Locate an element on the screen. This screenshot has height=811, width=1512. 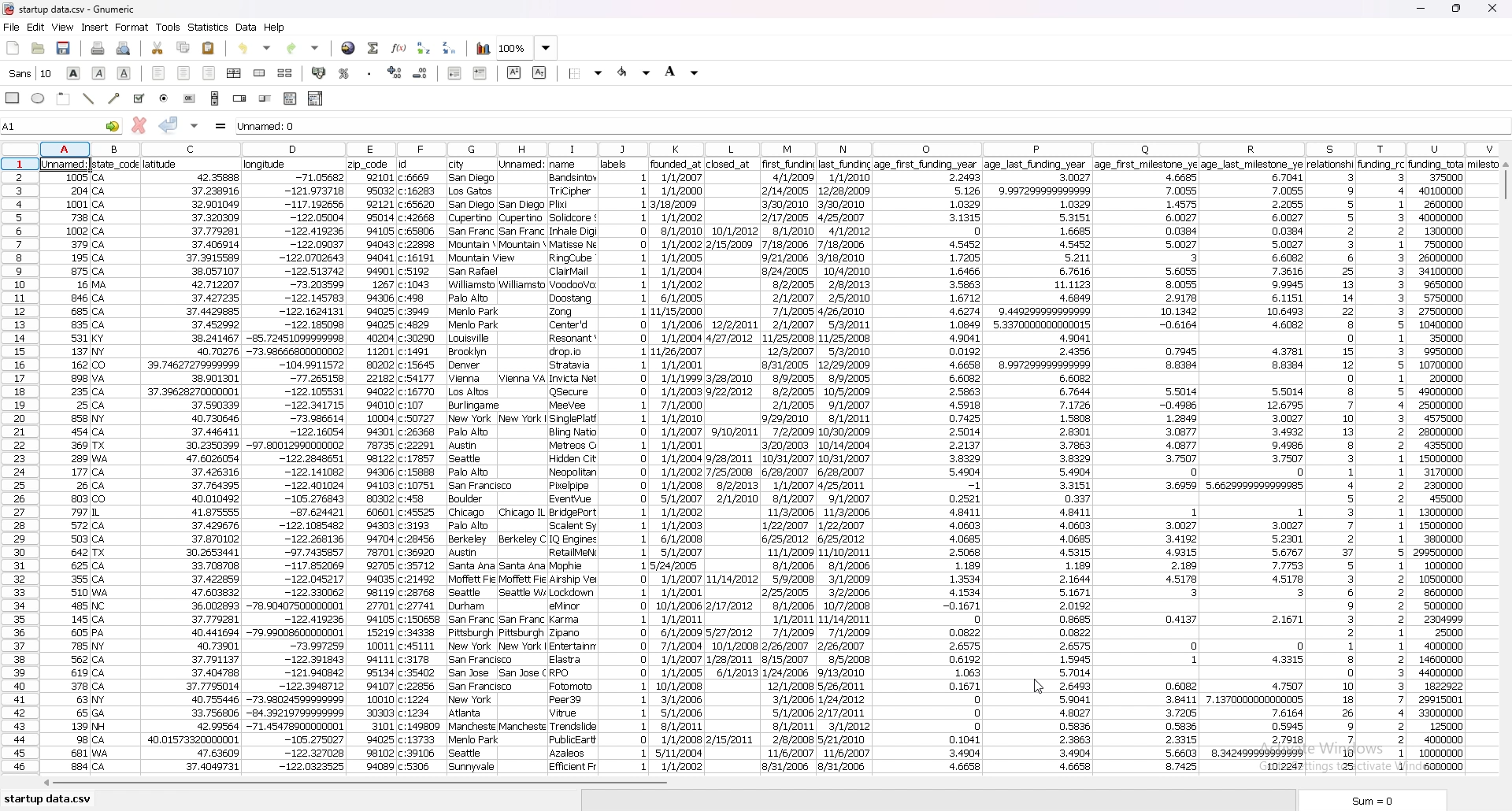
open is located at coordinates (39, 49).